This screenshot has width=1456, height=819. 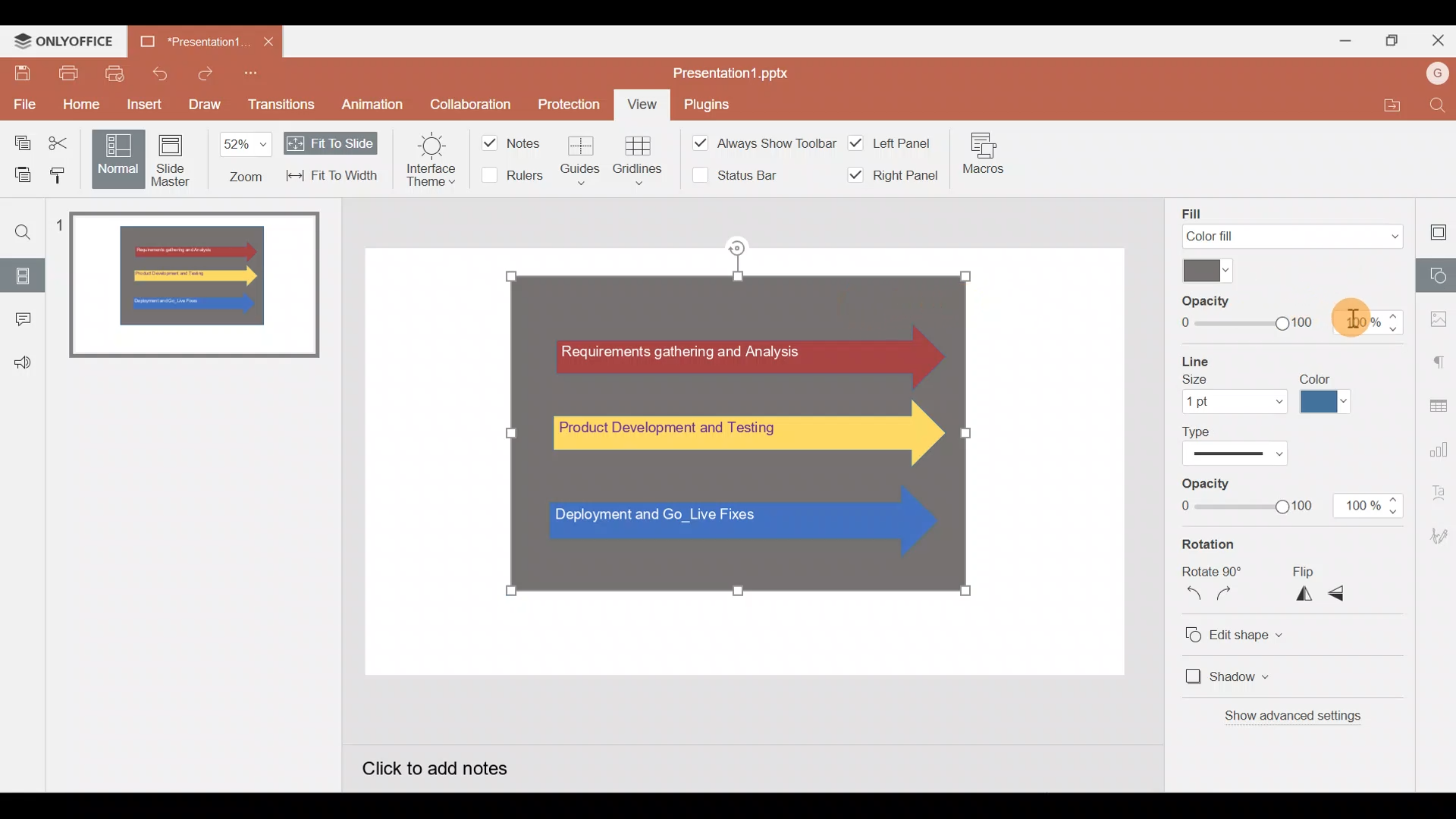 I want to click on Flip, so click(x=1310, y=572).